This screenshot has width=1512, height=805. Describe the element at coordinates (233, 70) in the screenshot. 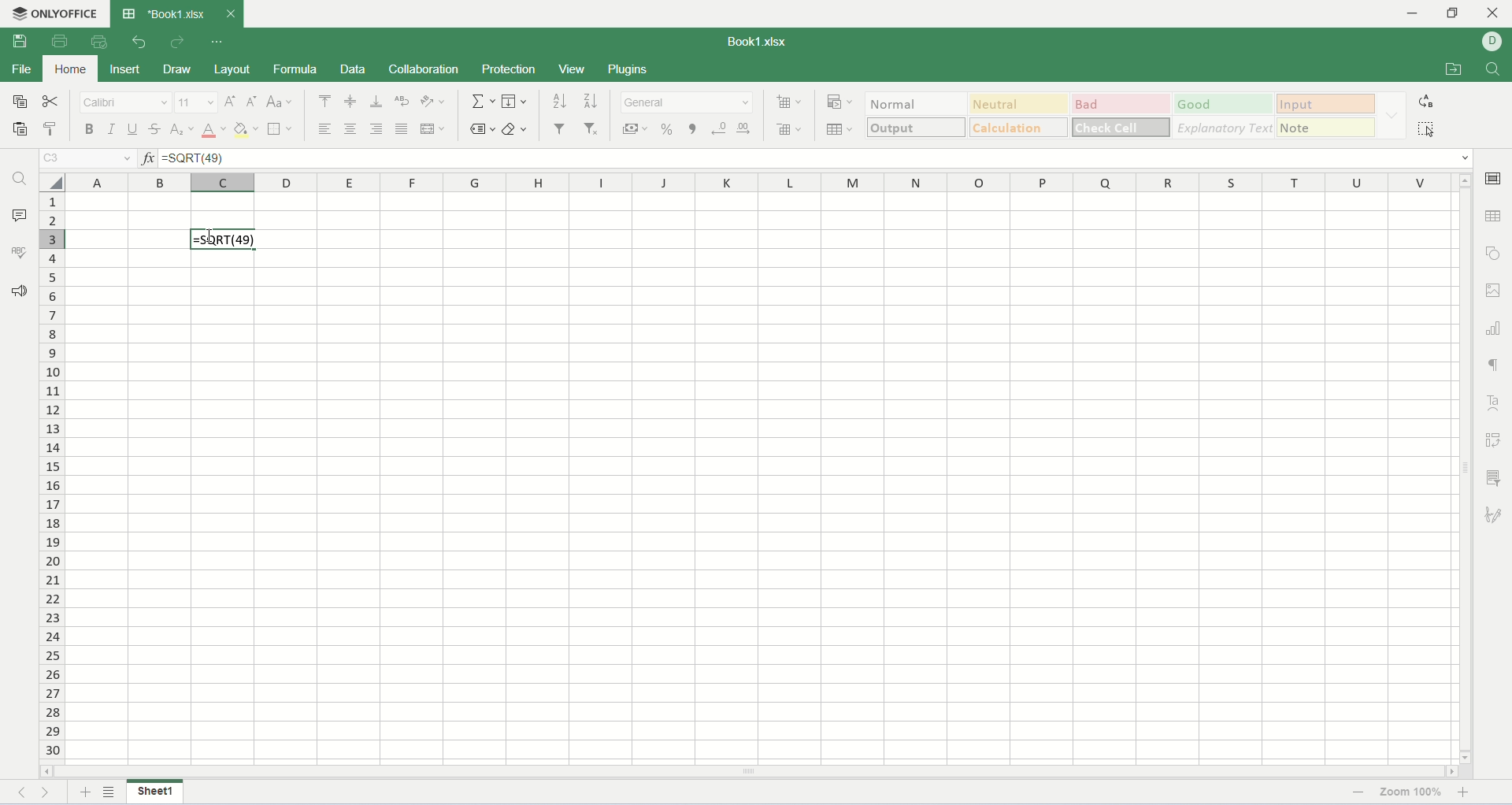

I see `layout` at that location.